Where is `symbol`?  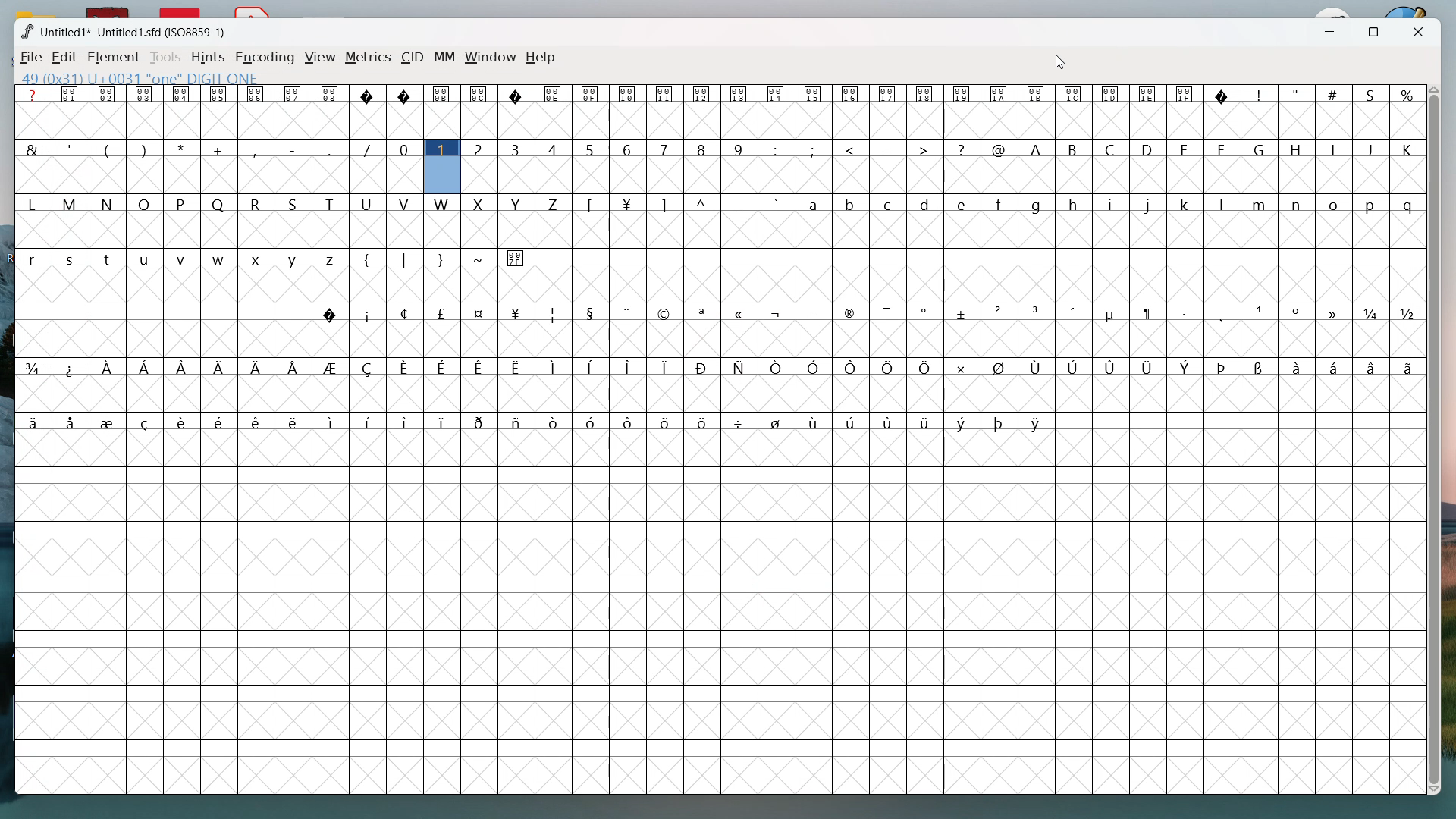
symbol is located at coordinates (627, 313).